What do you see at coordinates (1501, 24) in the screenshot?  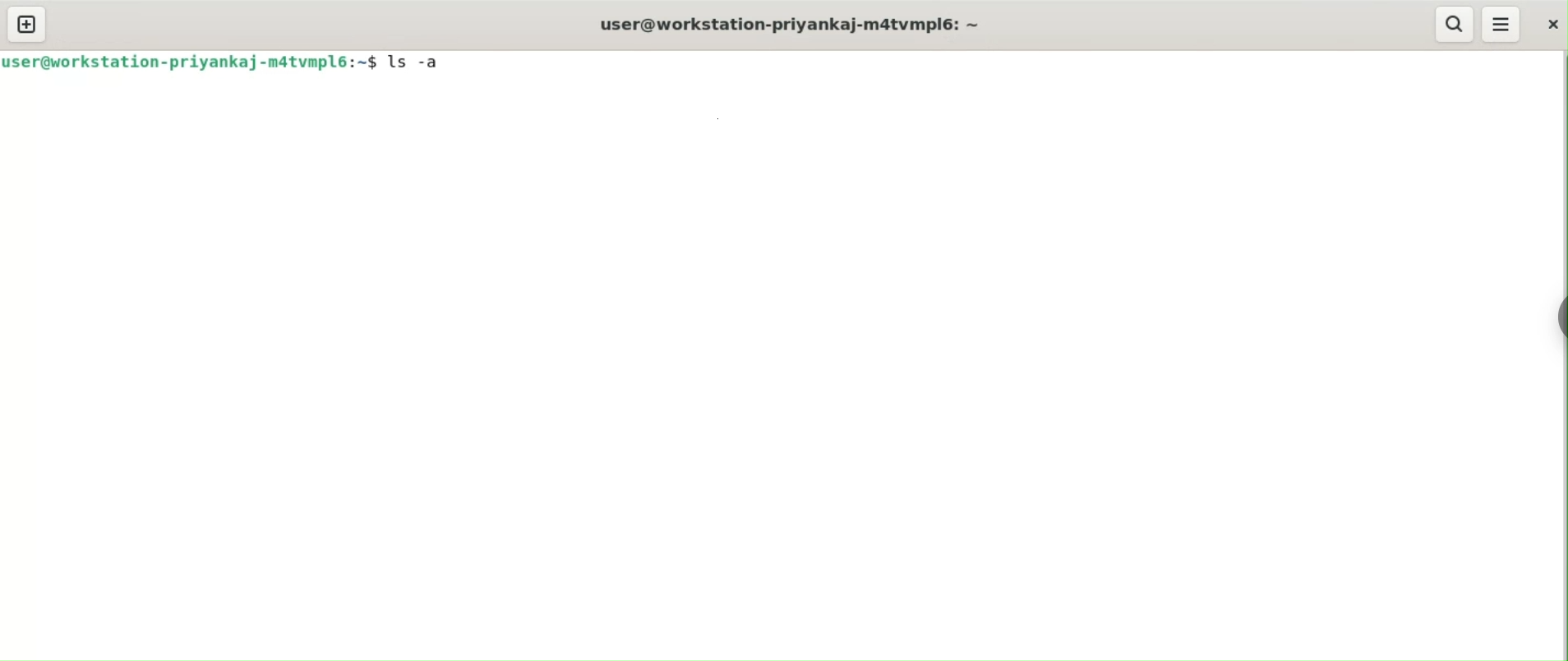 I see `menu` at bounding box center [1501, 24].